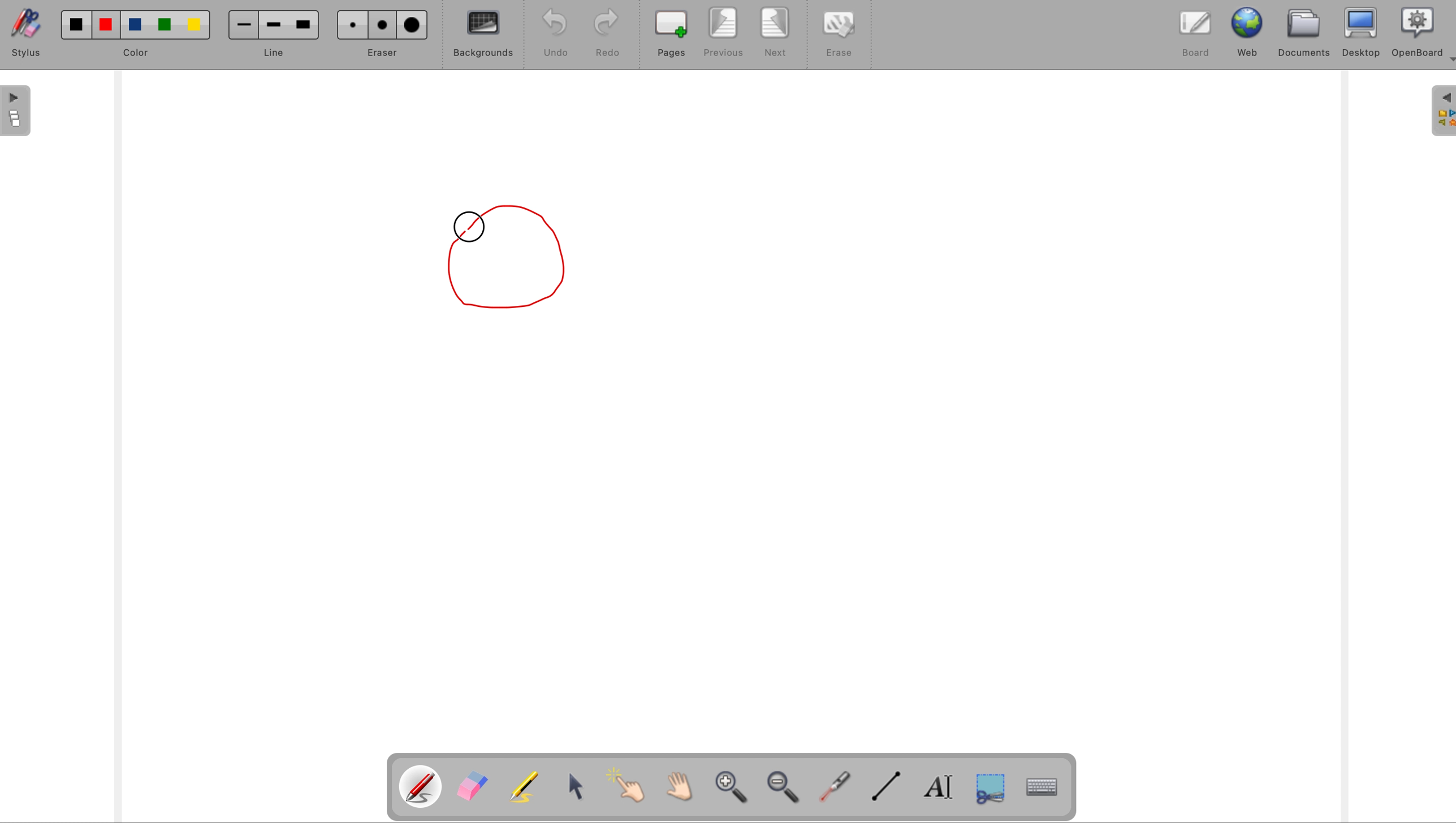  What do you see at coordinates (836, 34) in the screenshot?
I see `erase` at bounding box center [836, 34].